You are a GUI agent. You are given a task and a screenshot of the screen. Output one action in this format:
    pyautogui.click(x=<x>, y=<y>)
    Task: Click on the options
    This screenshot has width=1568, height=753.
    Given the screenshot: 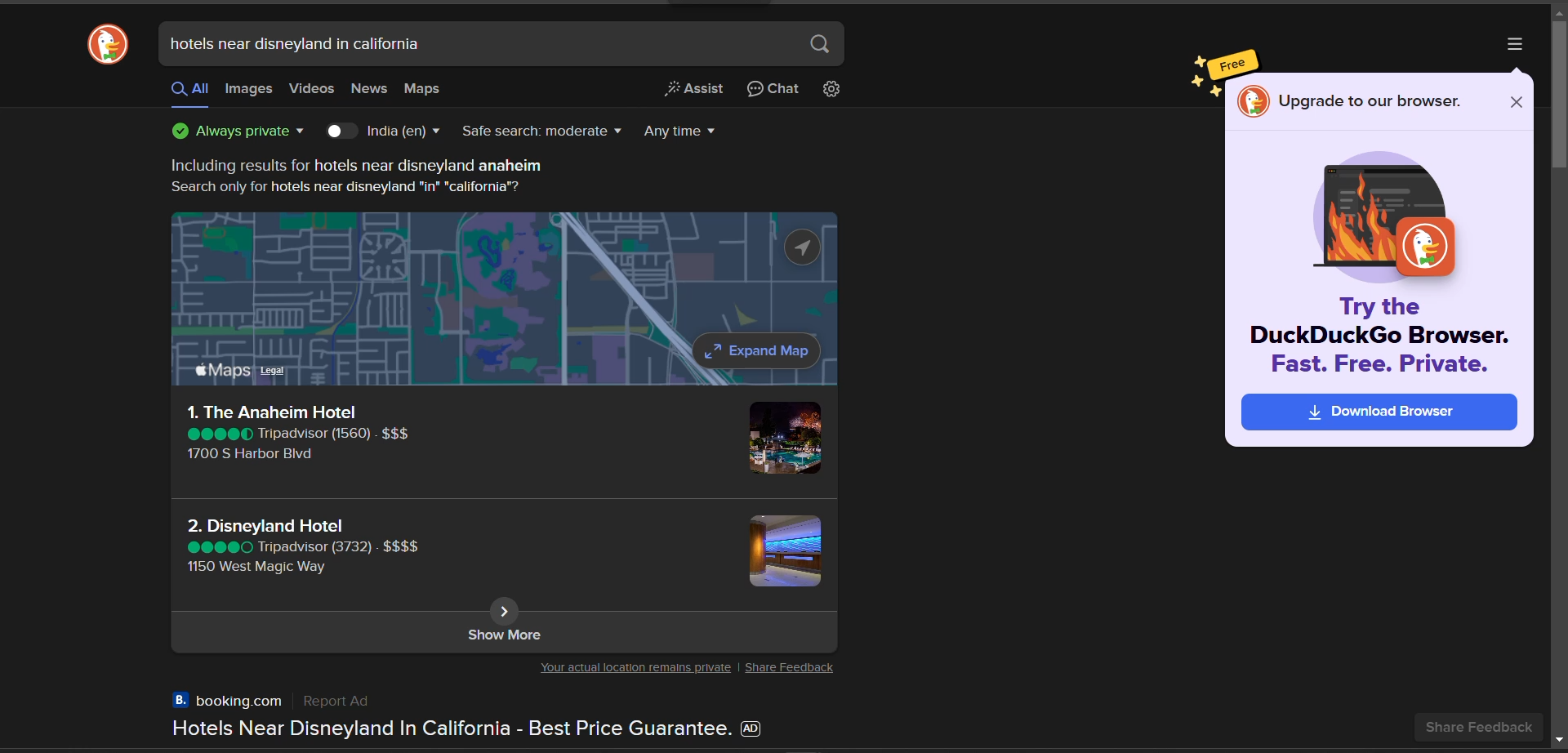 What is the action you would take?
    pyautogui.click(x=1512, y=43)
    